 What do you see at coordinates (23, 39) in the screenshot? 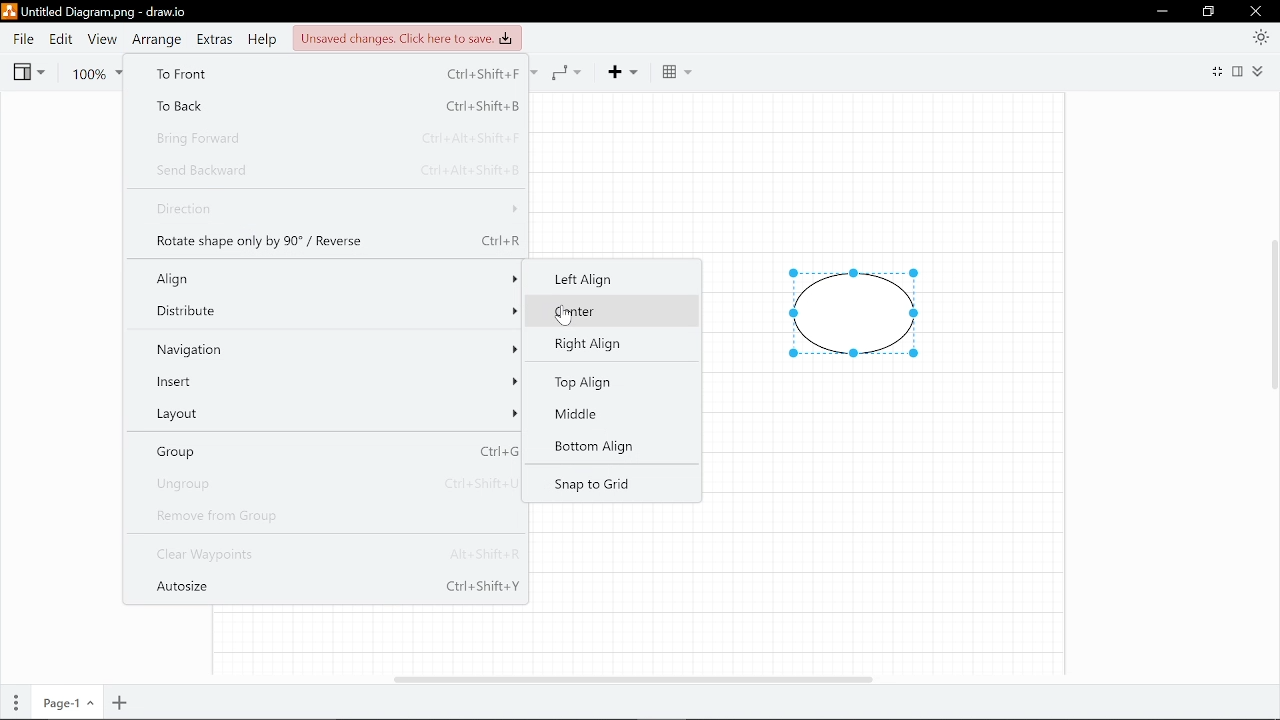
I see `File` at bounding box center [23, 39].